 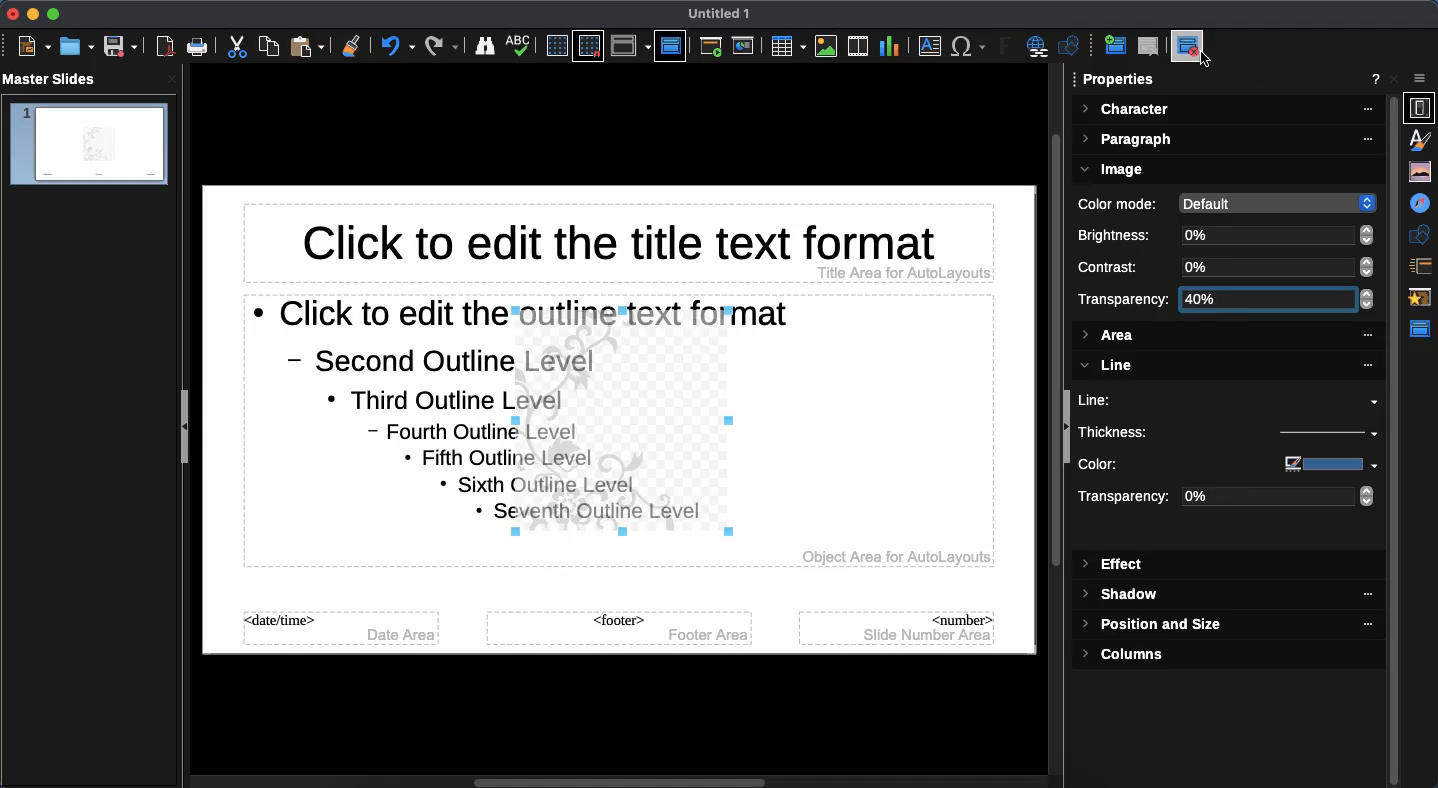 I want to click on Master slide, so click(x=670, y=45).